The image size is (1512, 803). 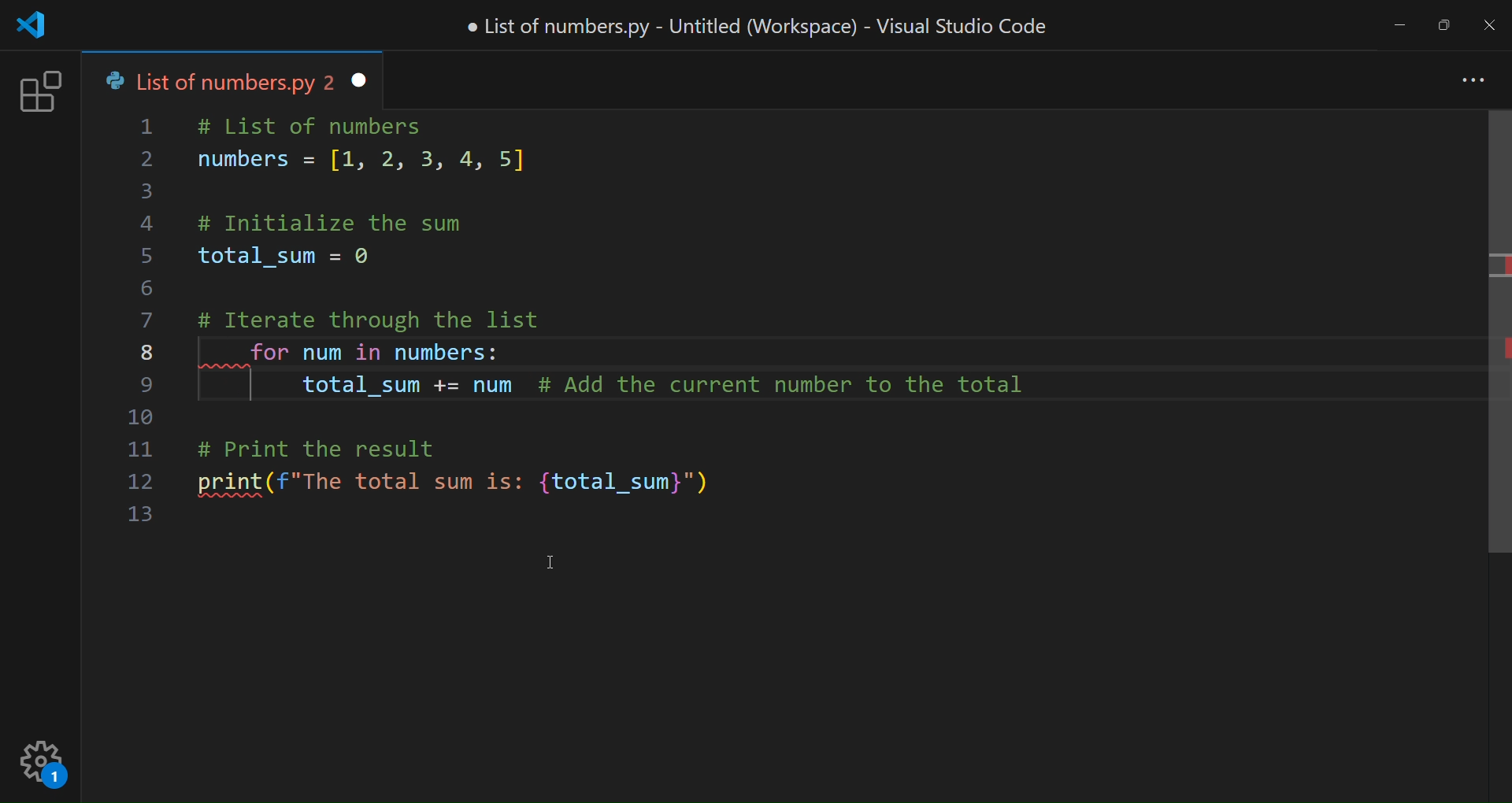 What do you see at coordinates (760, 26) in the screenshot?
I see `title` at bounding box center [760, 26].